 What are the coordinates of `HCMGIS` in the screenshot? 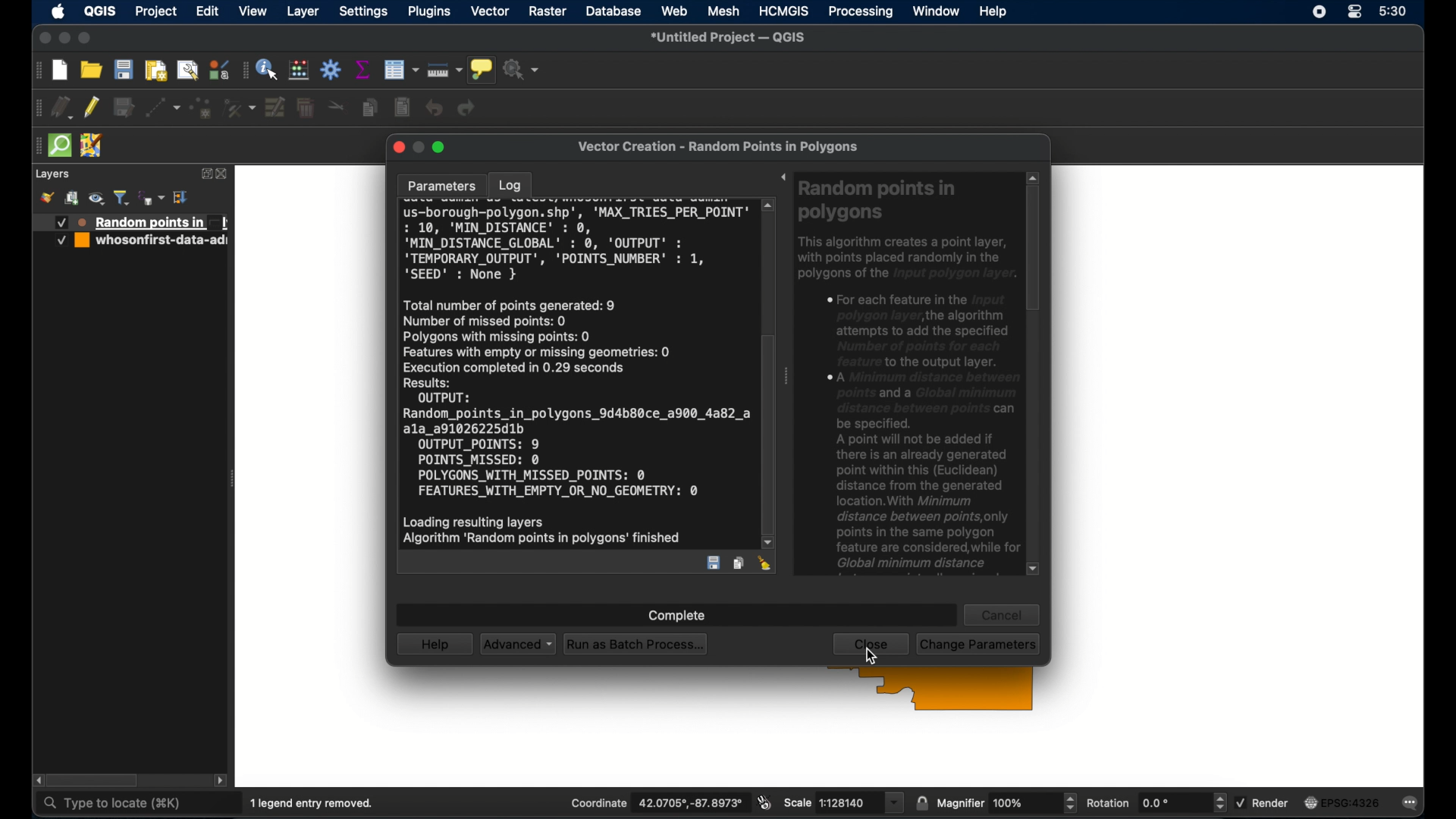 It's located at (783, 11).